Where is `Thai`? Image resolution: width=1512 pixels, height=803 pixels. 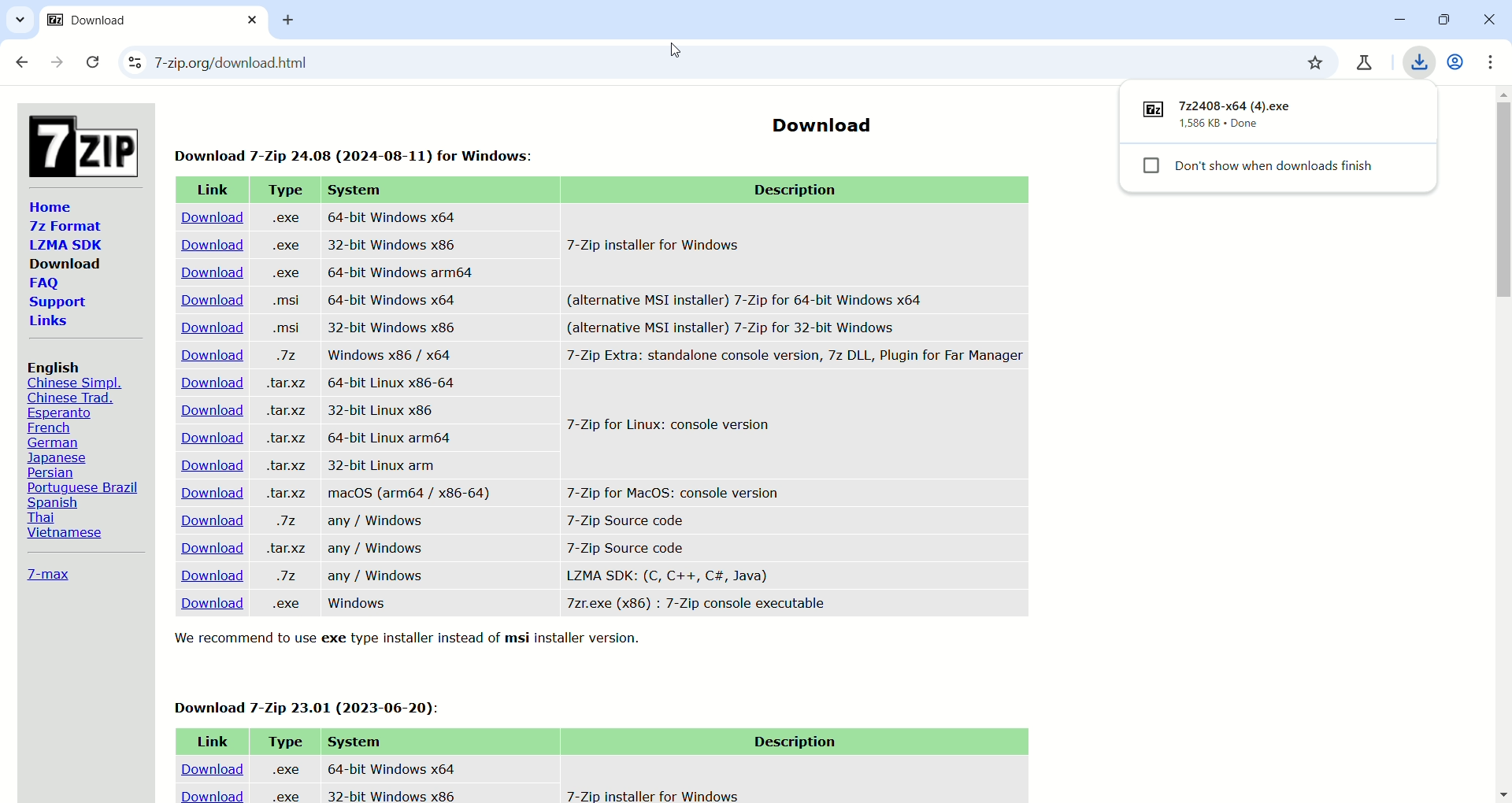 Thai is located at coordinates (41, 516).